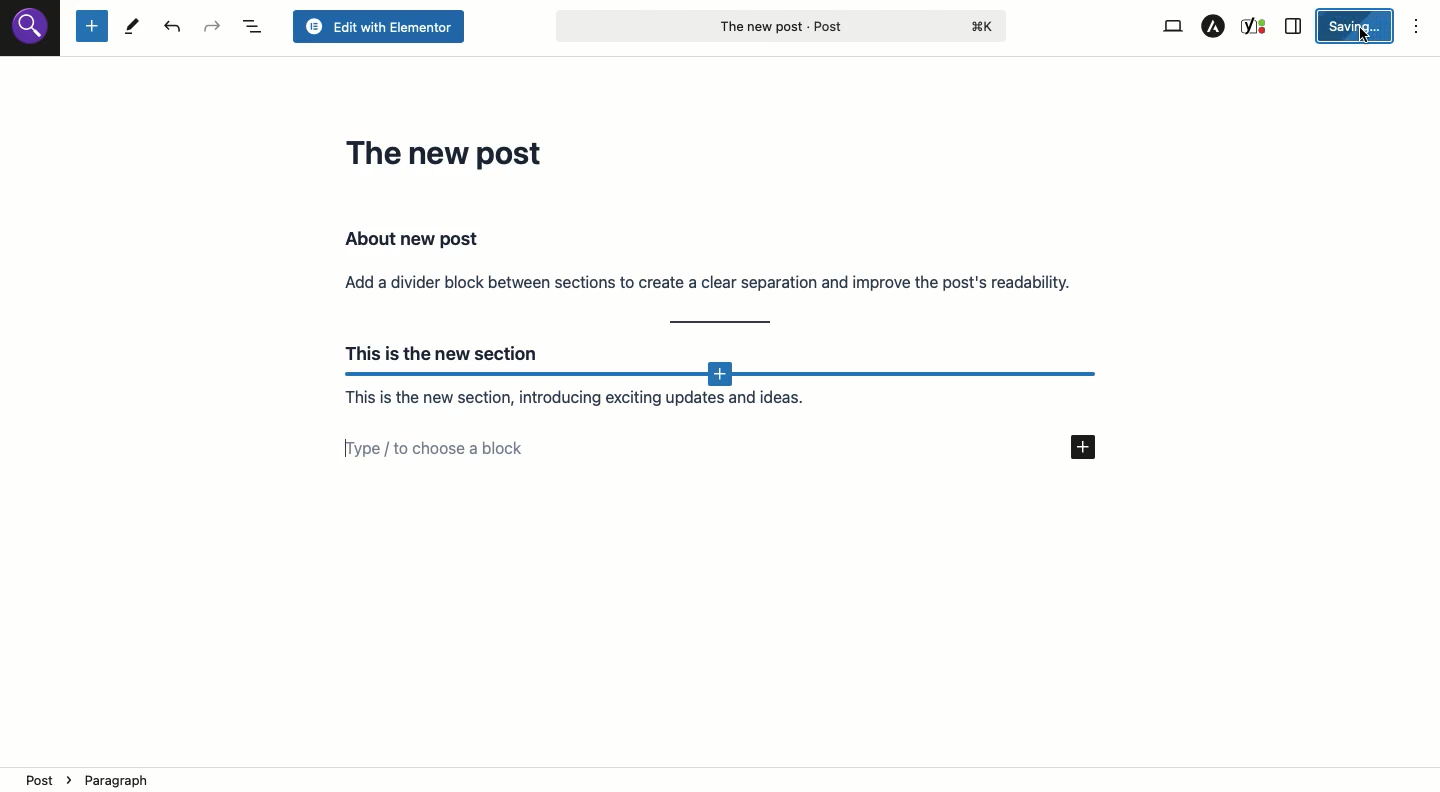 The height and width of the screenshot is (792, 1440). What do you see at coordinates (1363, 37) in the screenshot?
I see `cursor` at bounding box center [1363, 37].